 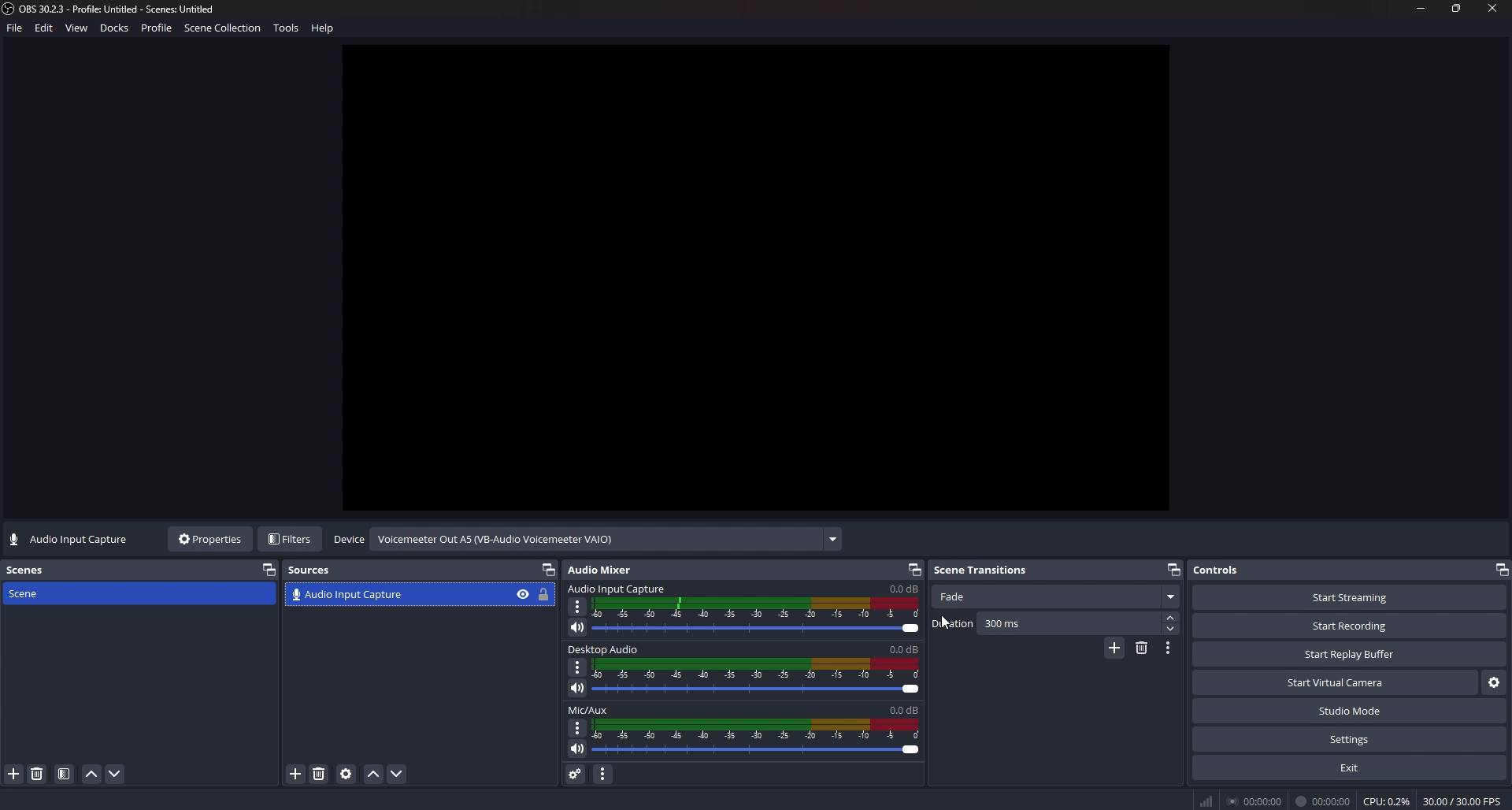 What do you see at coordinates (1334, 683) in the screenshot?
I see `start virtual camera` at bounding box center [1334, 683].